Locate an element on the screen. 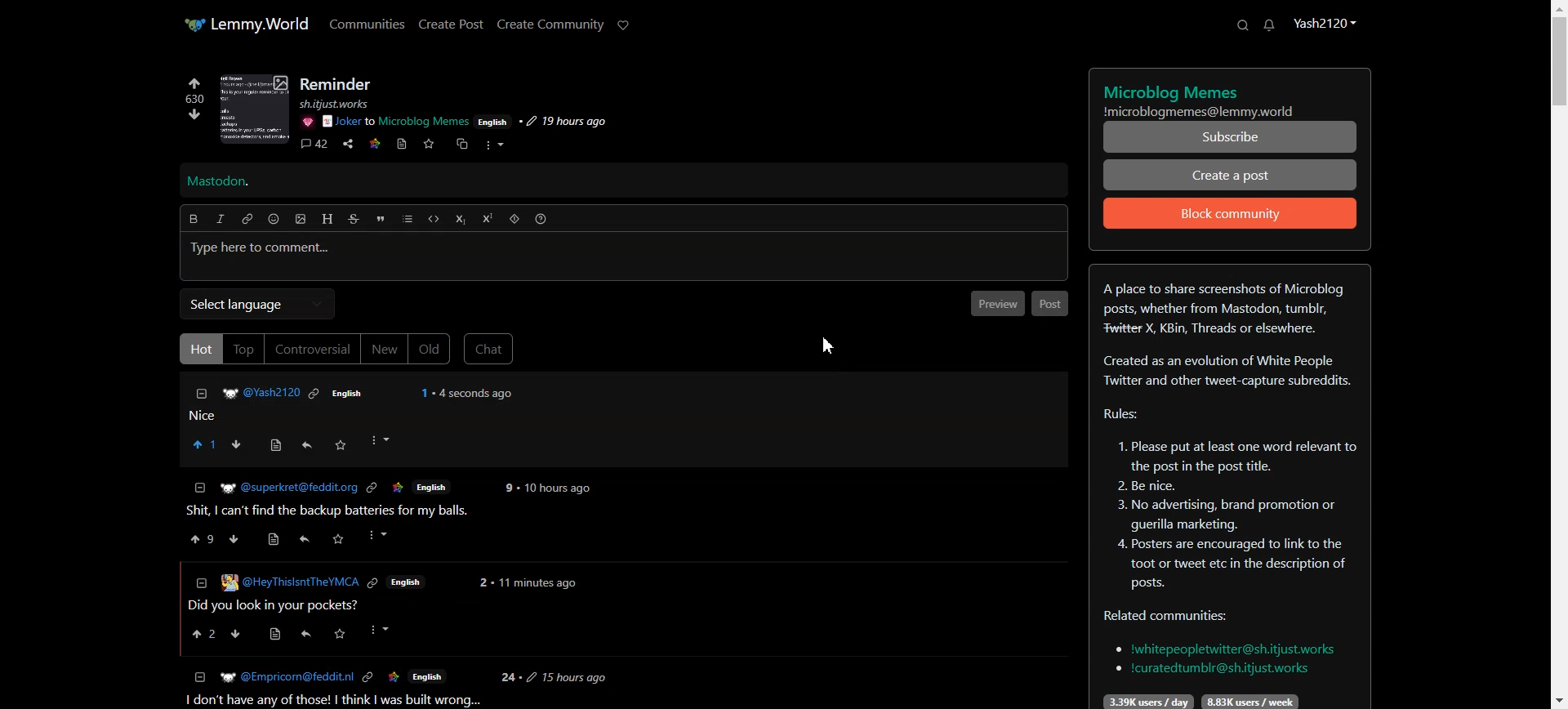 The image size is (1568, 709). Chat is located at coordinates (489, 349).